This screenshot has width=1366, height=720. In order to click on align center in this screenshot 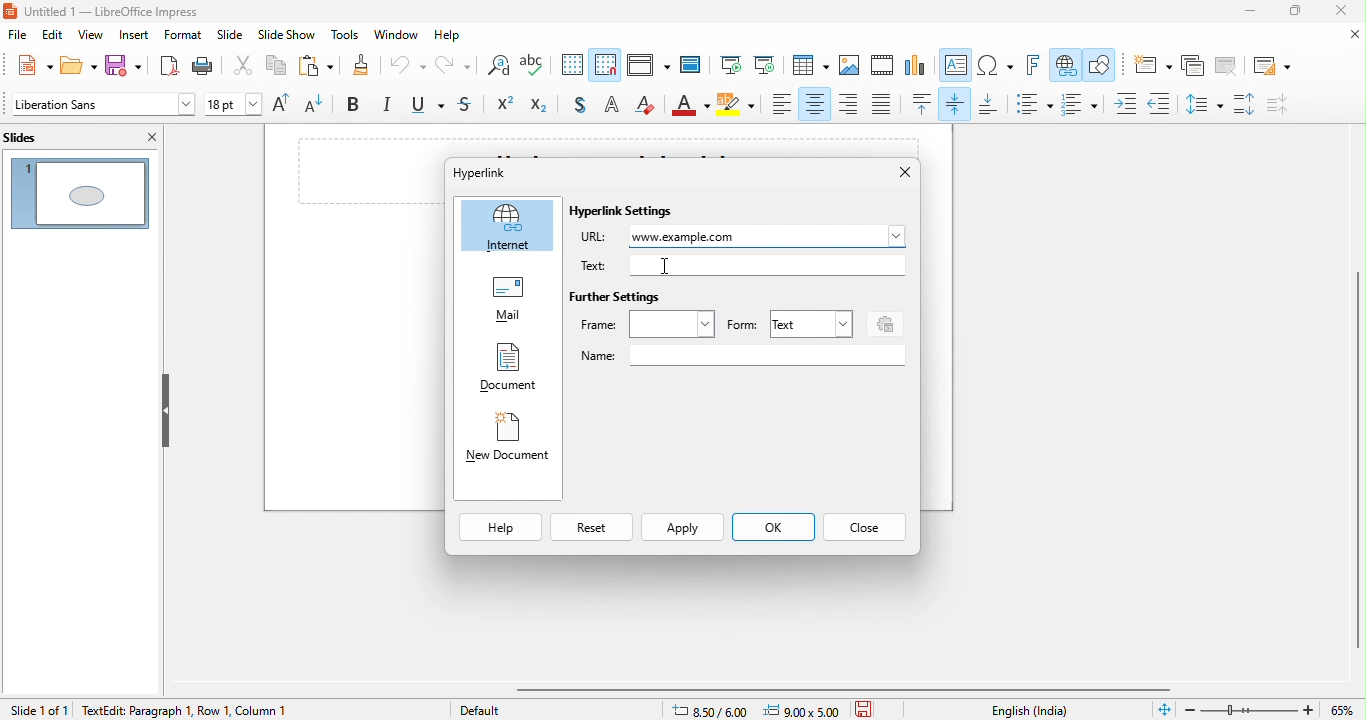, I will do `click(815, 104)`.